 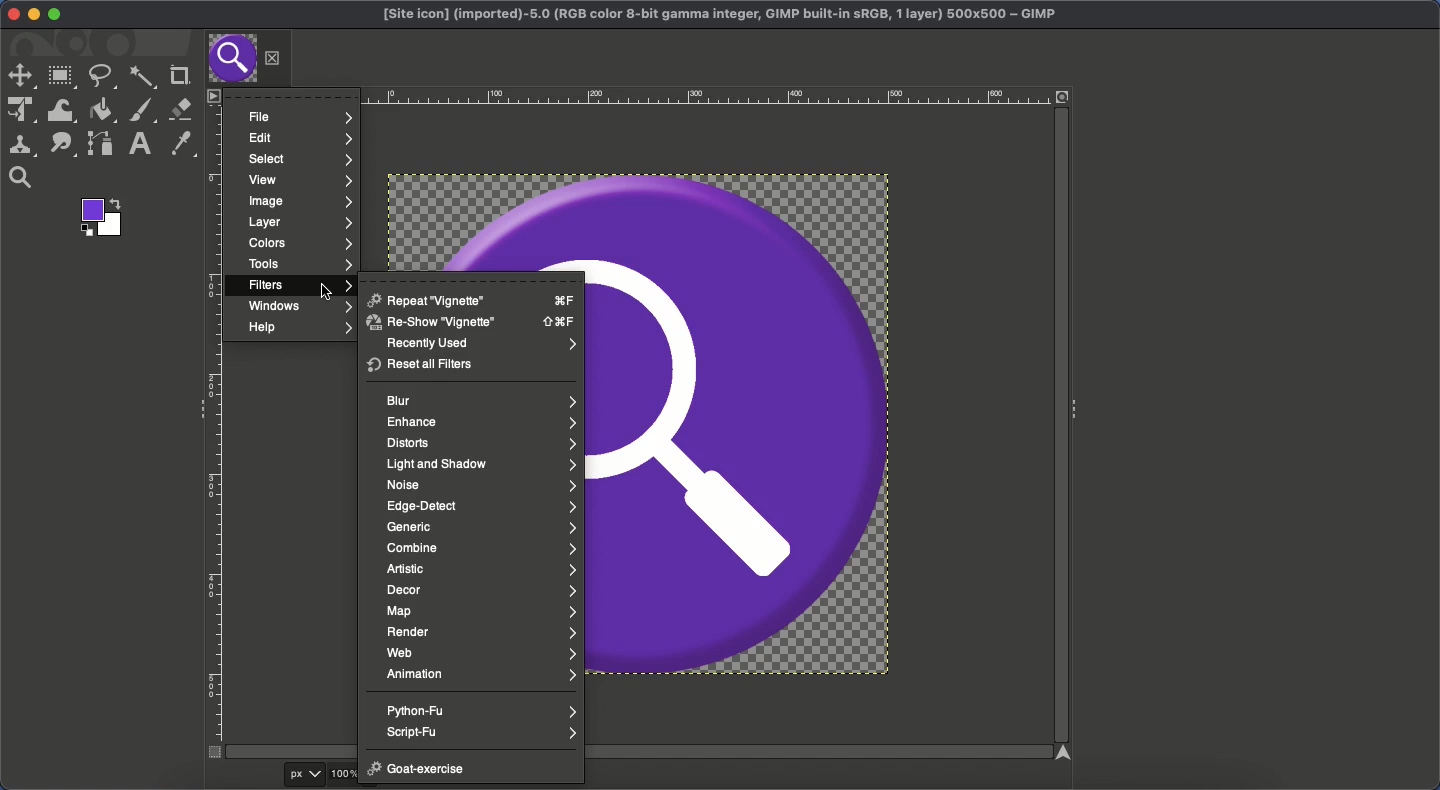 I want to click on Recently used, so click(x=479, y=345).